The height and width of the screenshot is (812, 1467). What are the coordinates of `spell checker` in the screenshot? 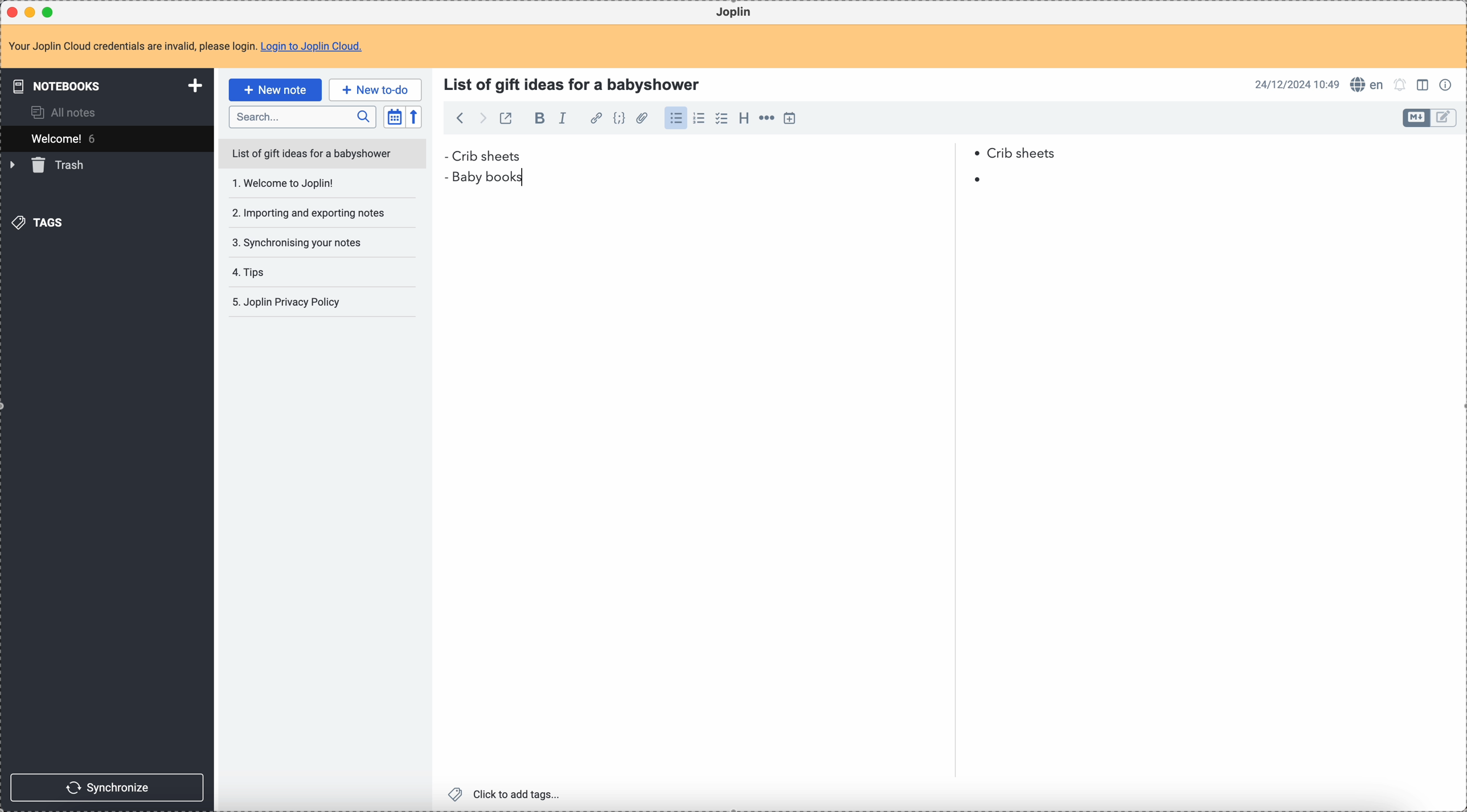 It's located at (1368, 85).